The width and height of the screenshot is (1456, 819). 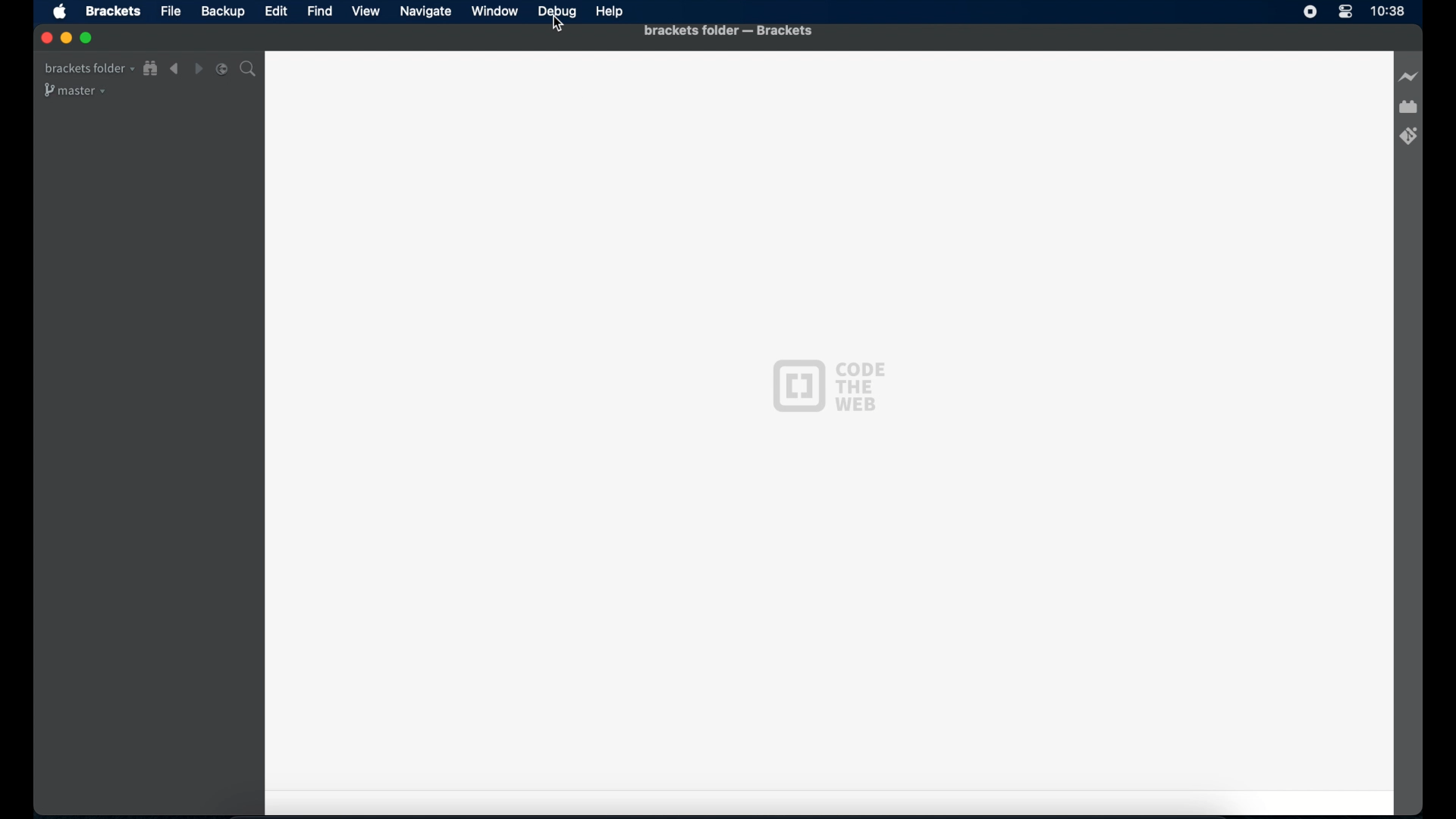 What do you see at coordinates (560, 25) in the screenshot?
I see `Cursor` at bounding box center [560, 25].